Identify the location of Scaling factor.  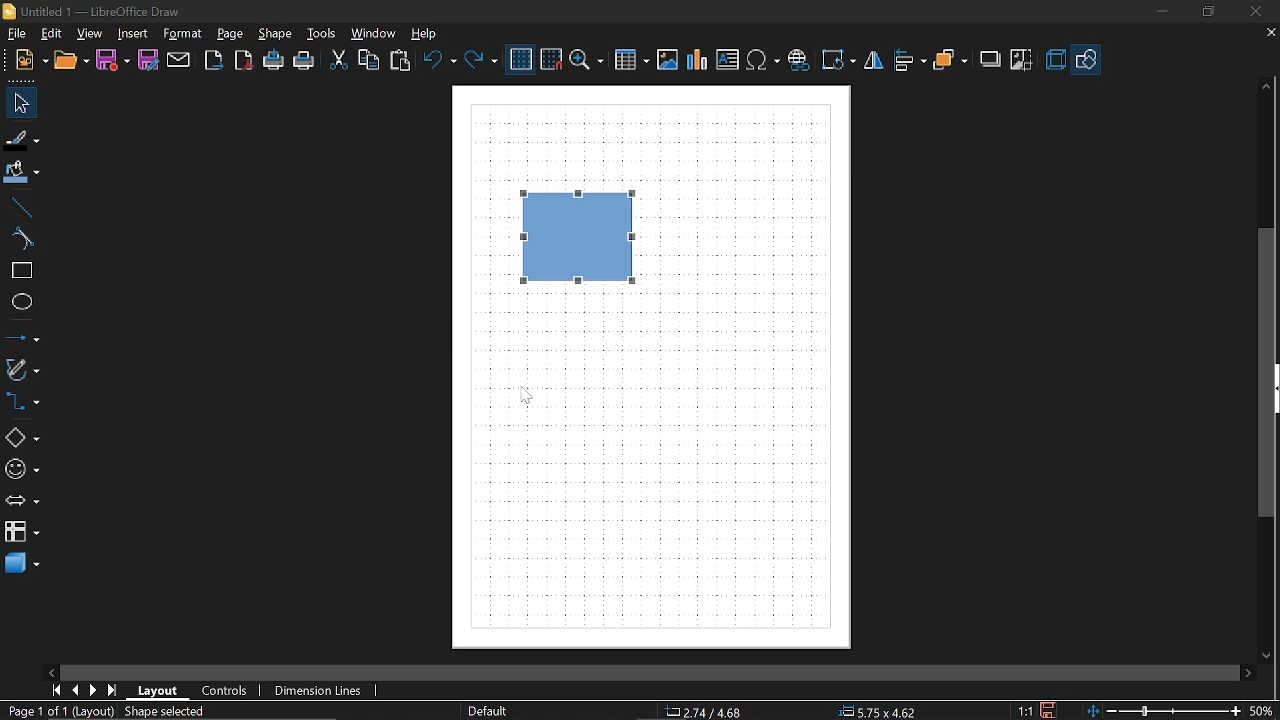
(1023, 711).